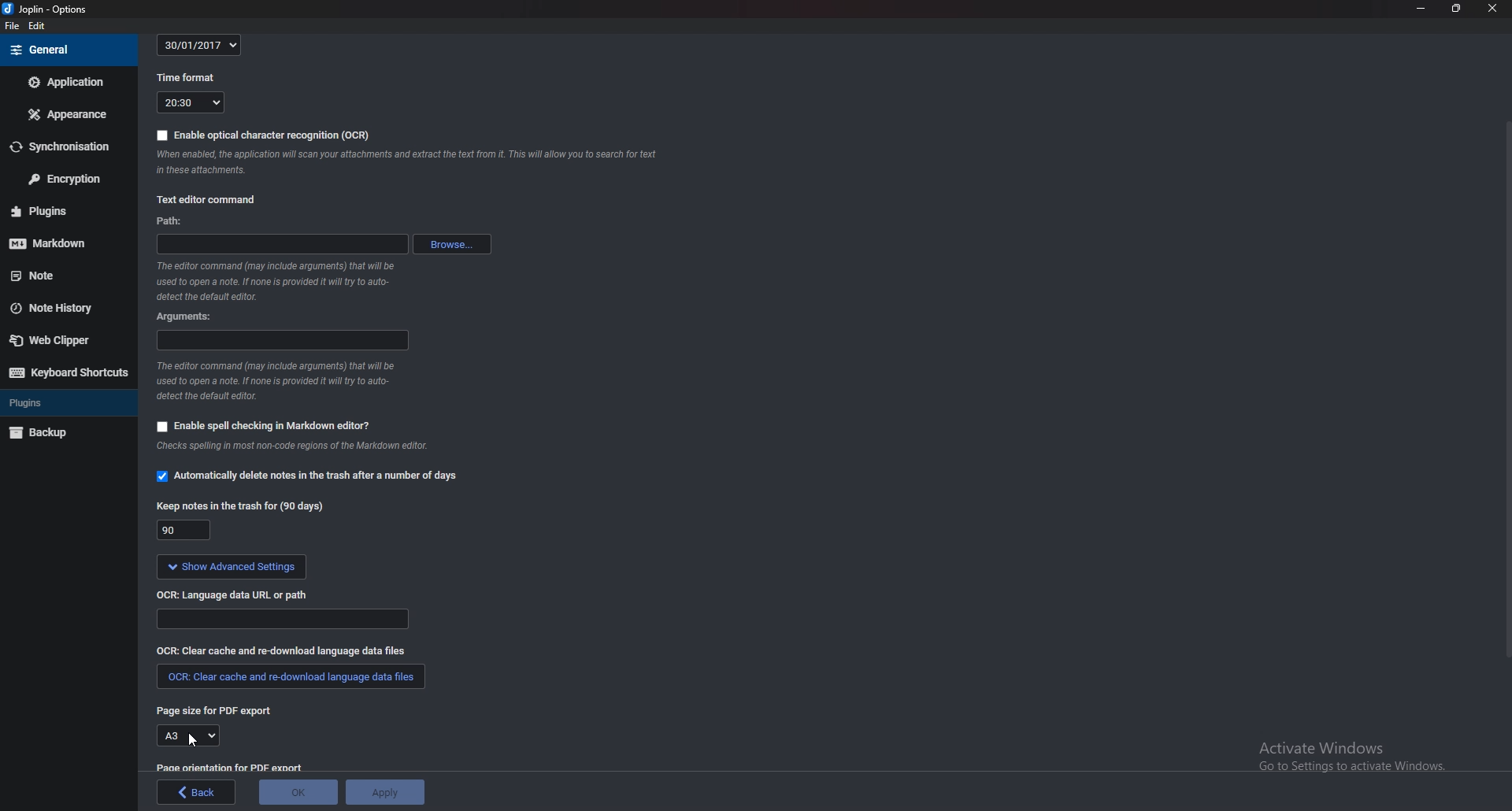  Describe the element at coordinates (187, 737) in the screenshot. I see `A3` at that location.